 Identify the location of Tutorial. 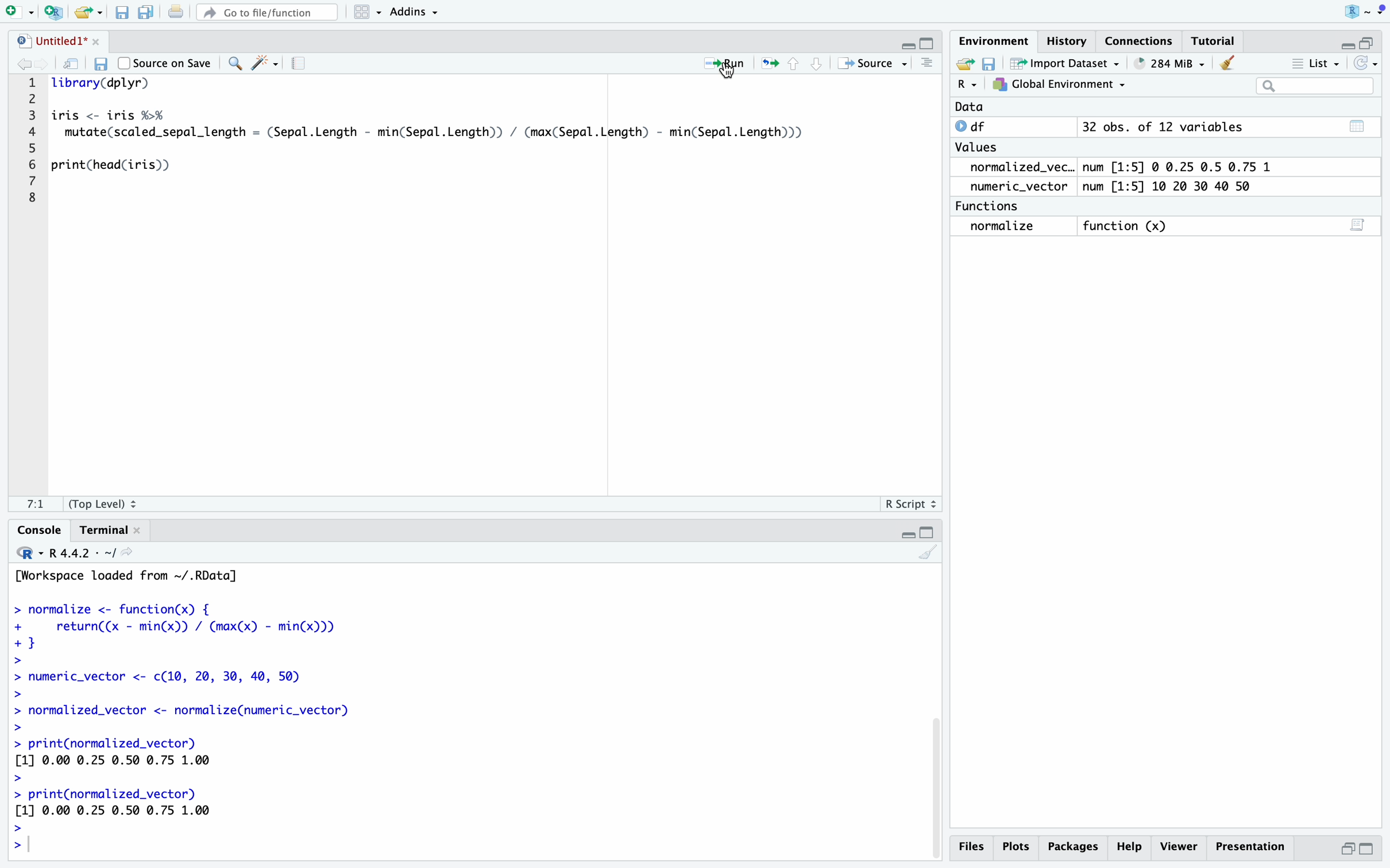
(1213, 42).